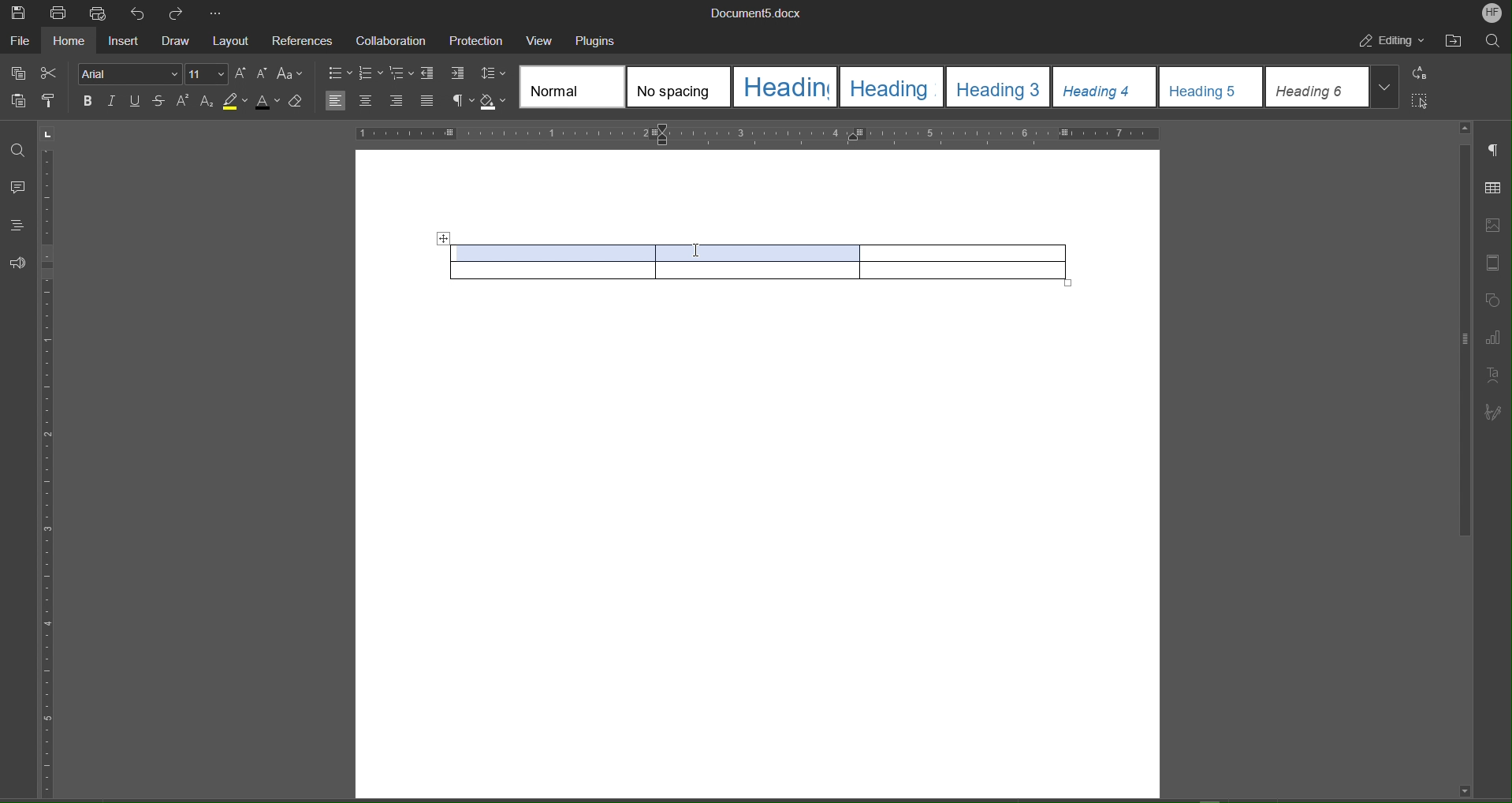  I want to click on Decrease Indent, so click(430, 74).